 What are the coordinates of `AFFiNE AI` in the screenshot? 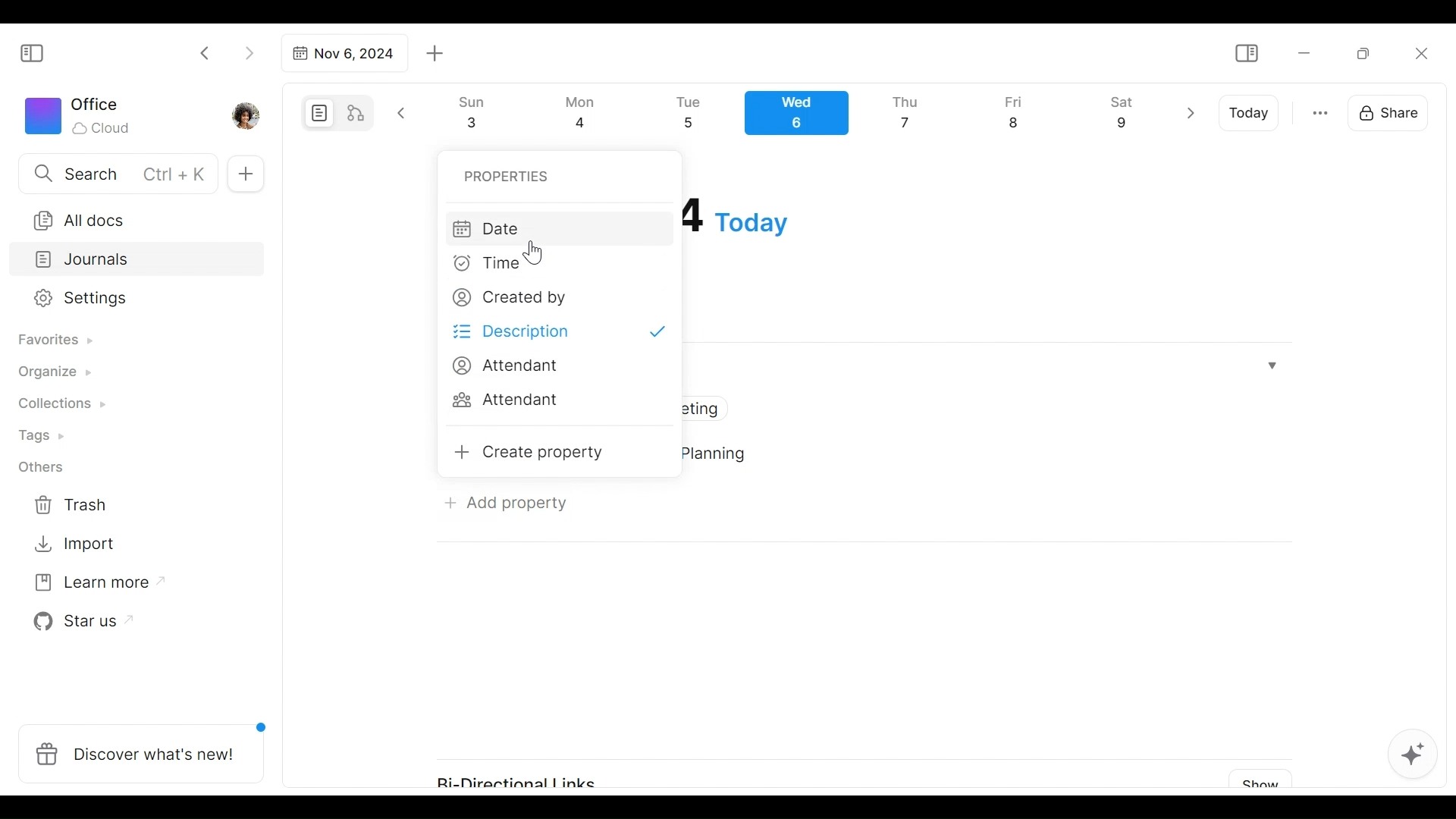 It's located at (1413, 756).